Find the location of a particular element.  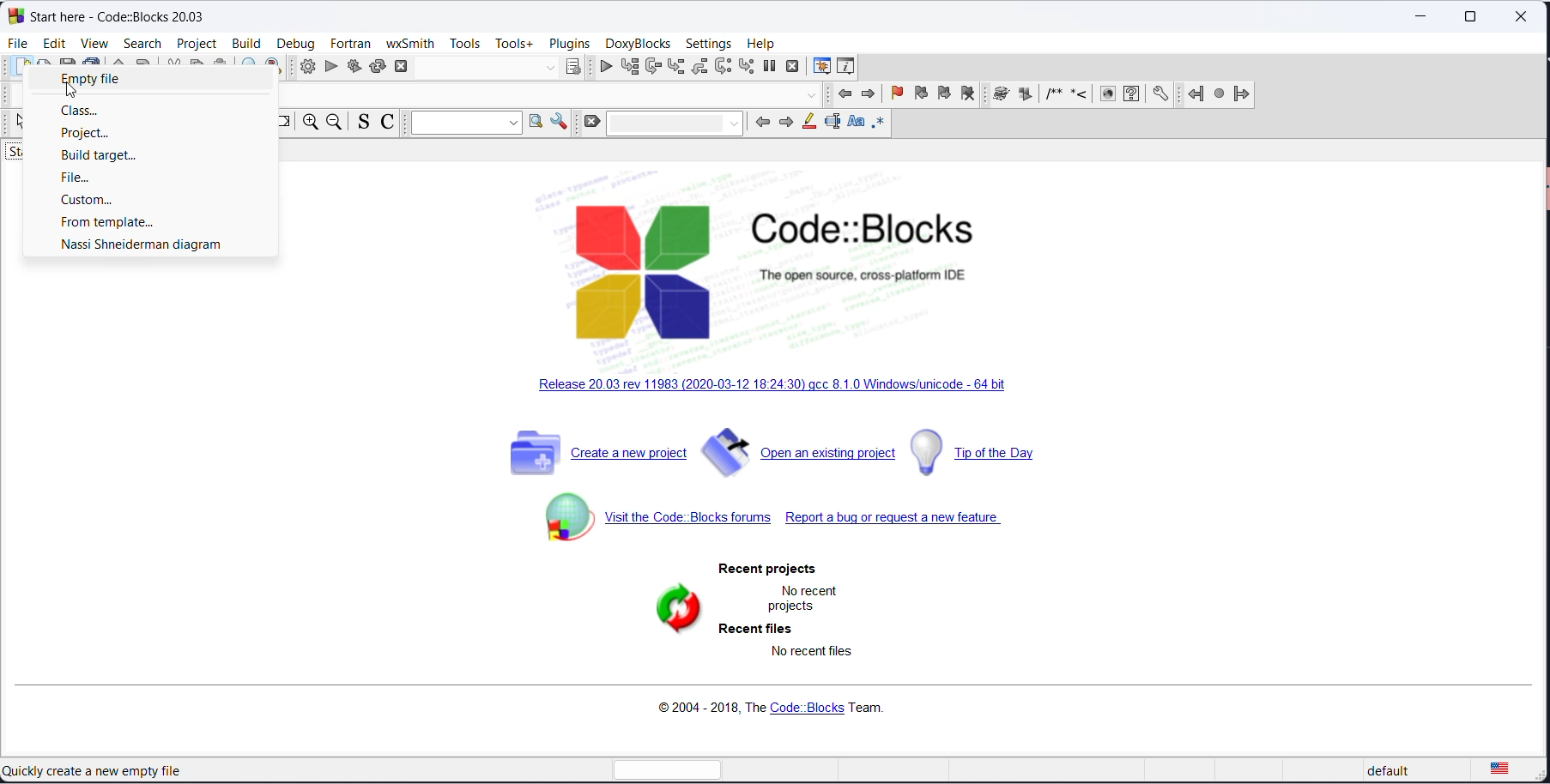

text and dropdown is located at coordinates (462, 124).